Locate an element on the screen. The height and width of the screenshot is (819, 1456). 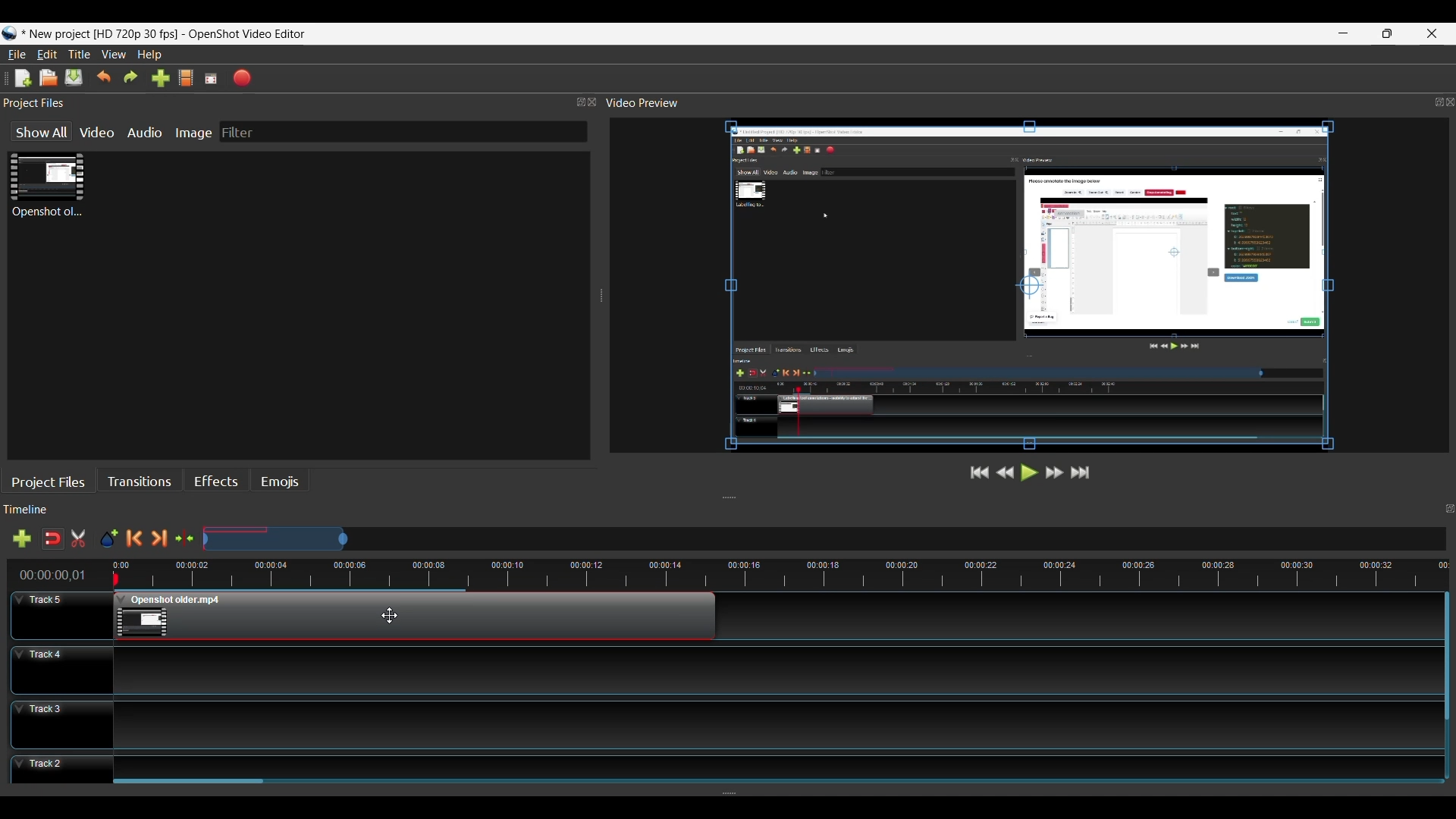
View is located at coordinates (113, 55).